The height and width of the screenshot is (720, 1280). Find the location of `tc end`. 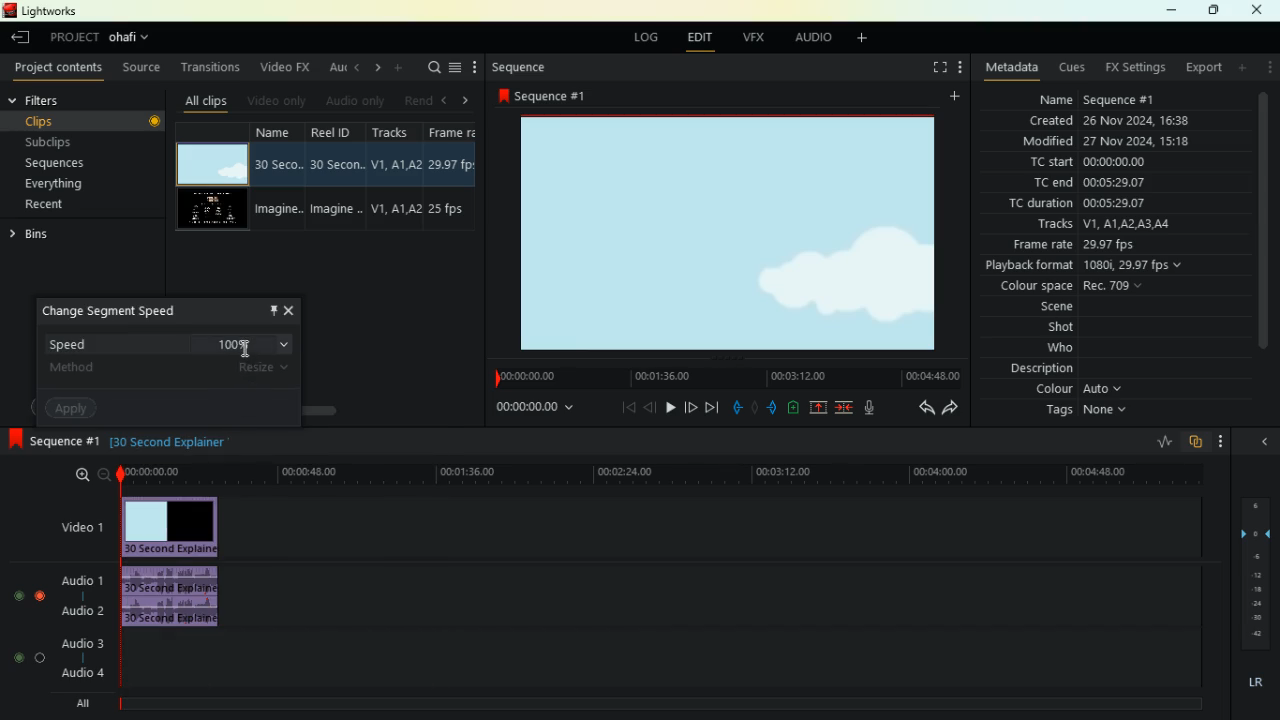

tc end is located at coordinates (1093, 184).